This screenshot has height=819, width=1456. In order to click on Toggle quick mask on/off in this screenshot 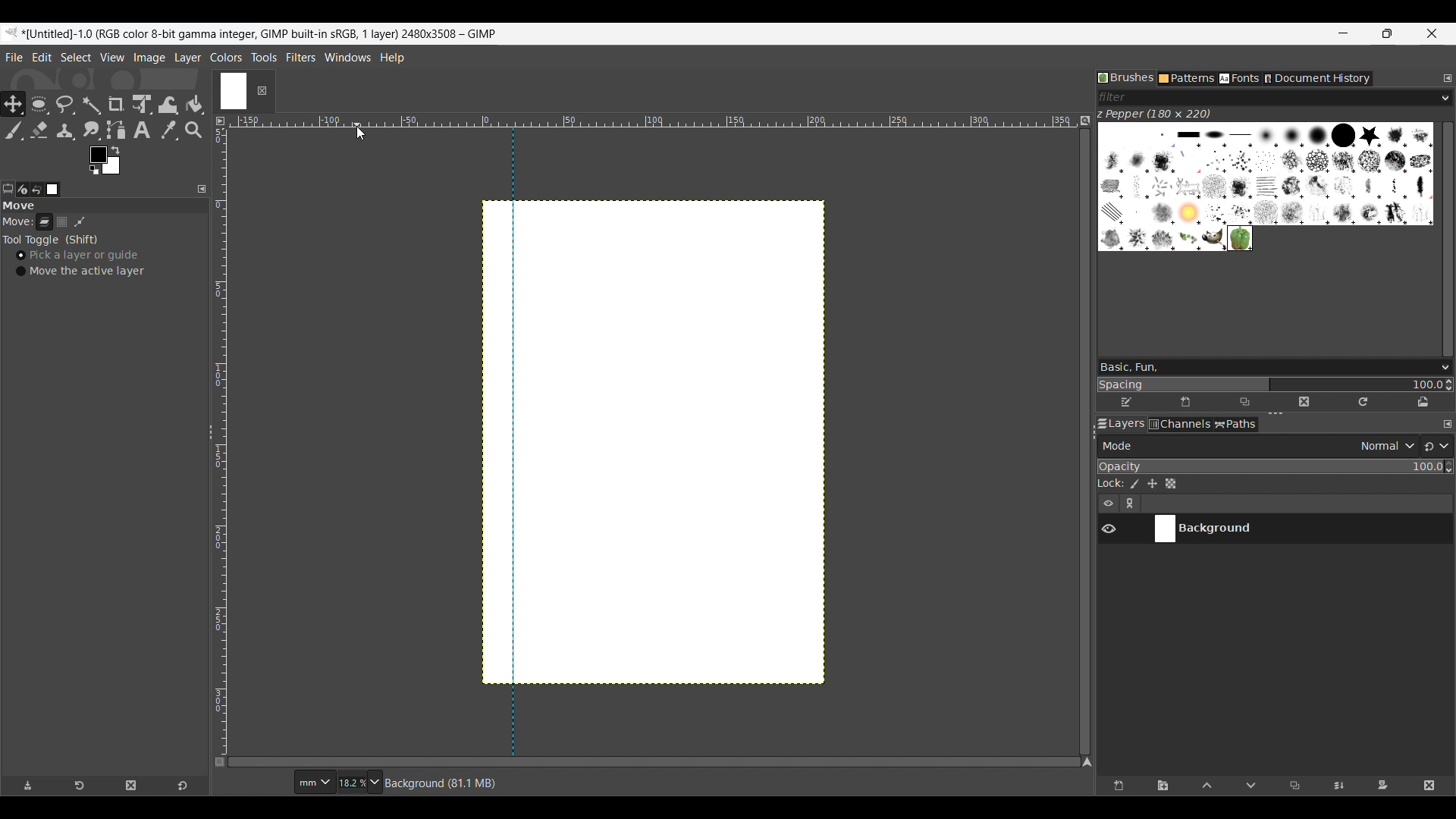, I will do `click(221, 763)`.